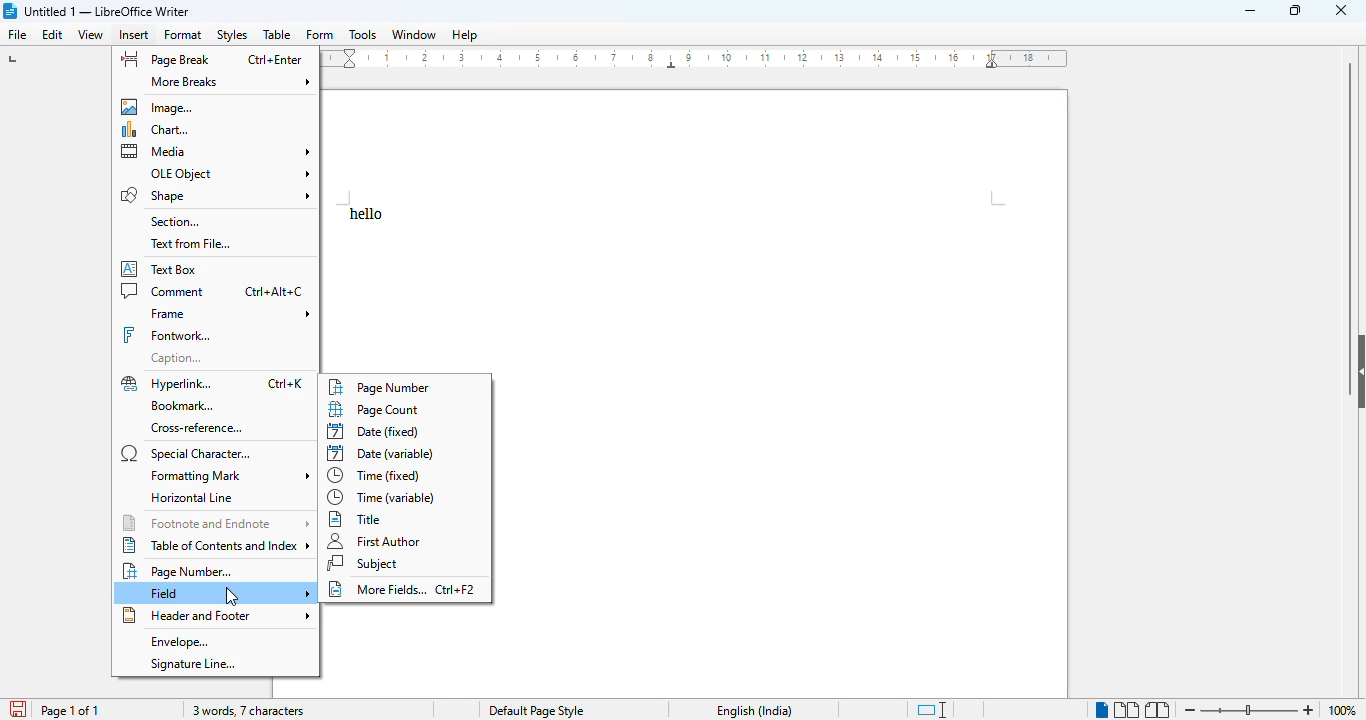  I want to click on envelope, so click(178, 641).